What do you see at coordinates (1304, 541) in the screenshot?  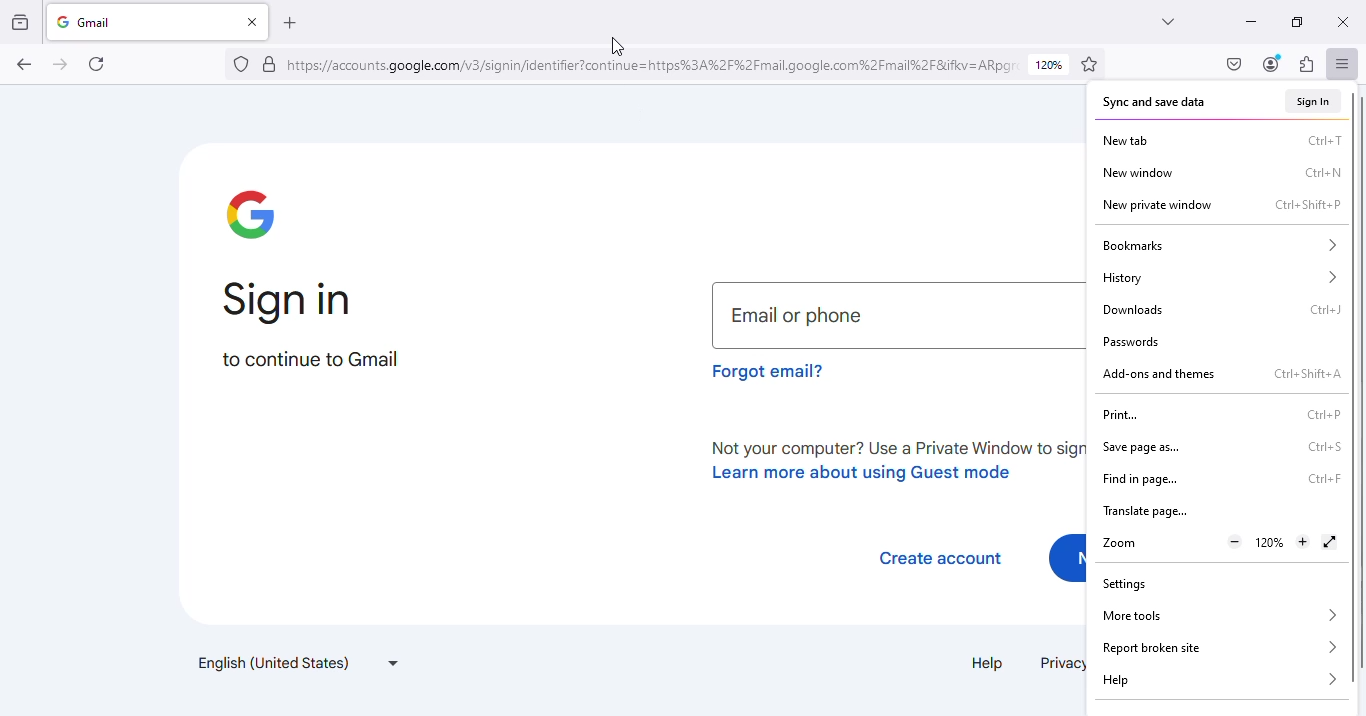 I see `zoom in` at bounding box center [1304, 541].